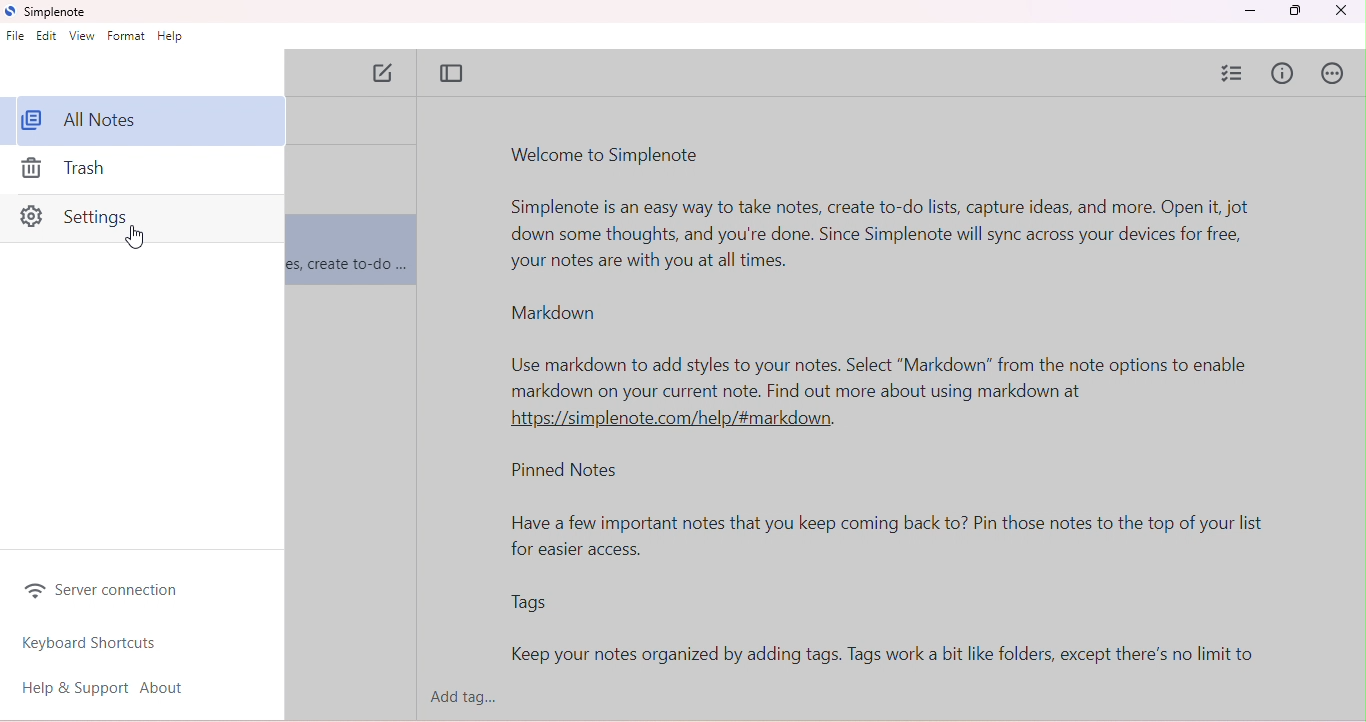  Describe the element at coordinates (386, 75) in the screenshot. I see `new note` at that location.